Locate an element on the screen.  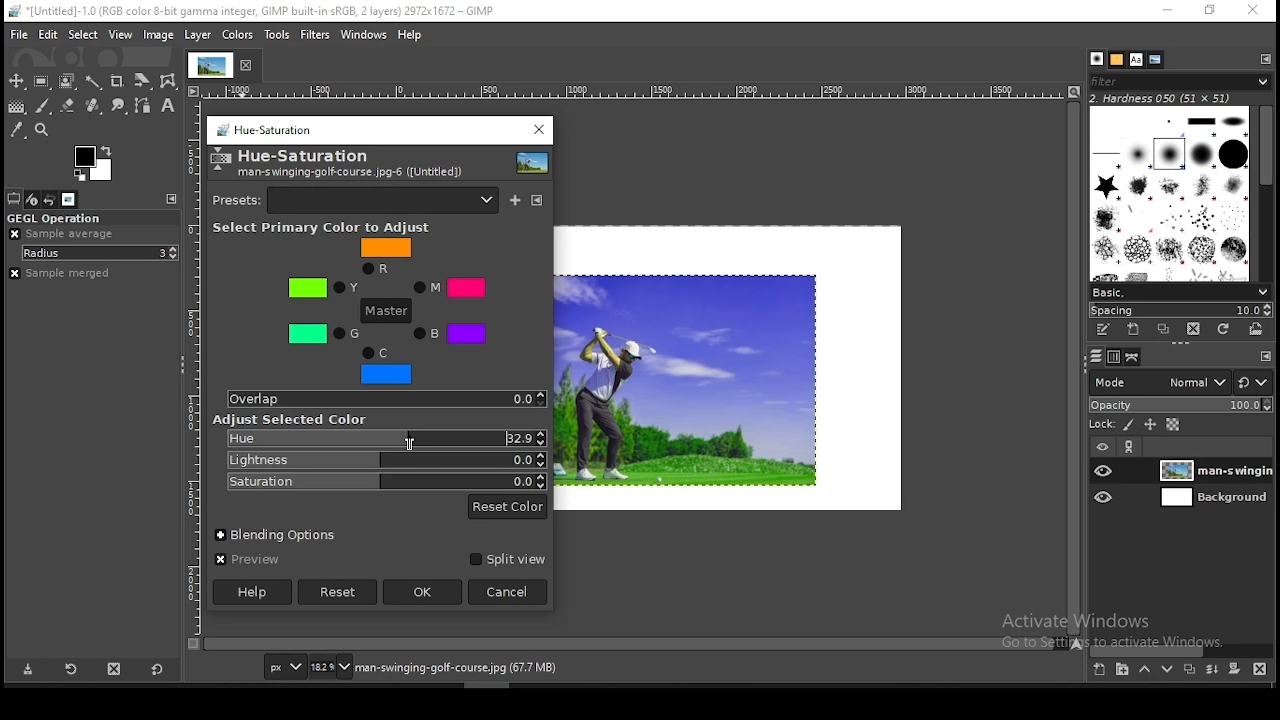
M is located at coordinates (448, 287).